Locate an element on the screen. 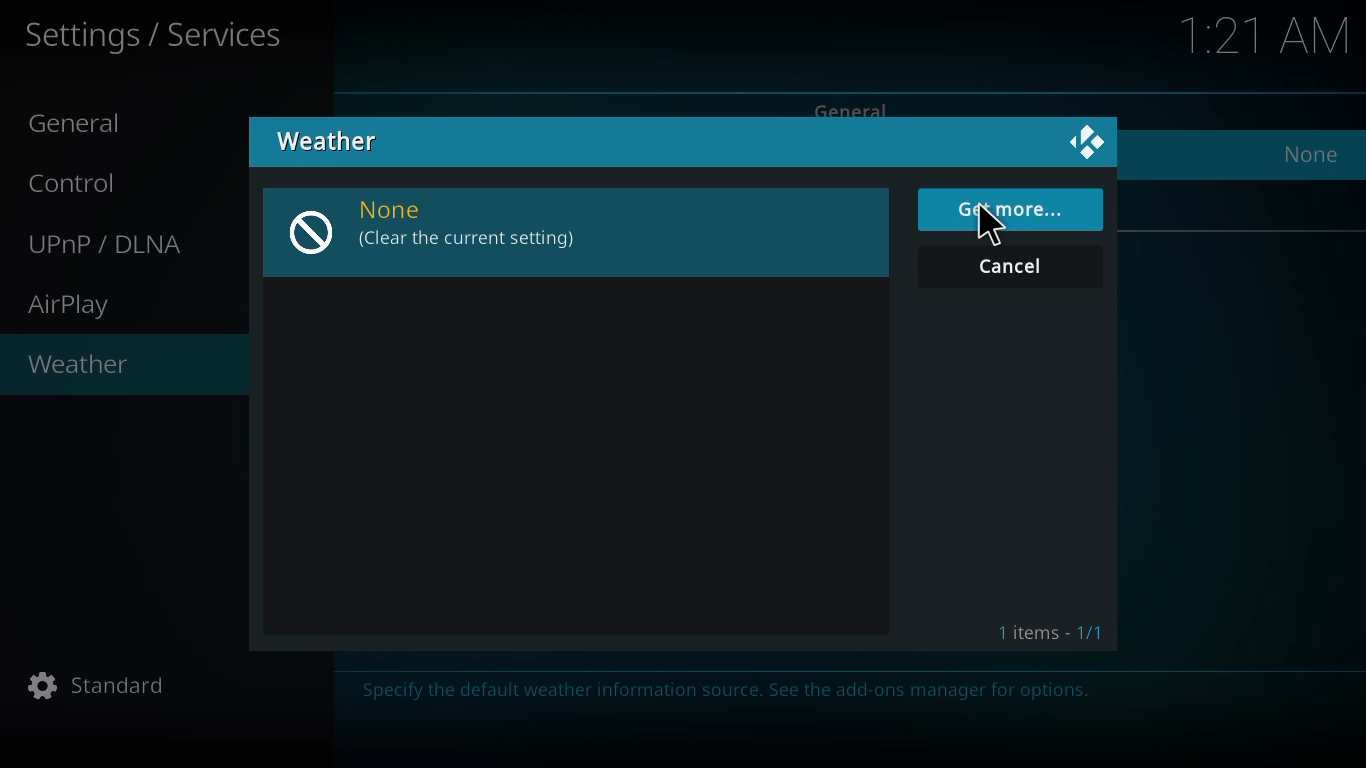 The height and width of the screenshot is (768, 1366). cursor is located at coordinates (992, 227).